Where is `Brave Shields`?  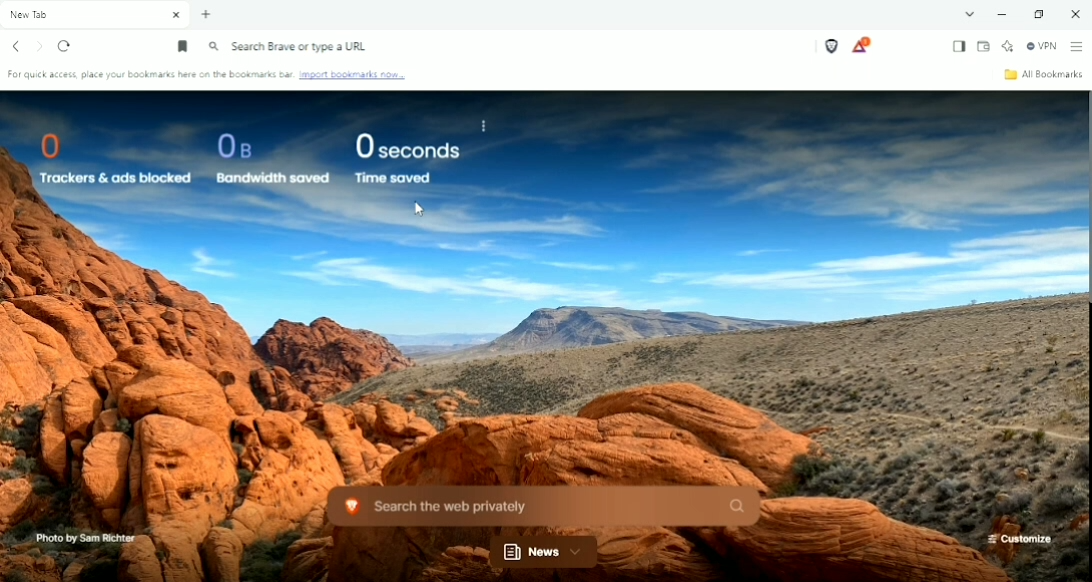 Brave Shields is located at coordinates (831, 46).